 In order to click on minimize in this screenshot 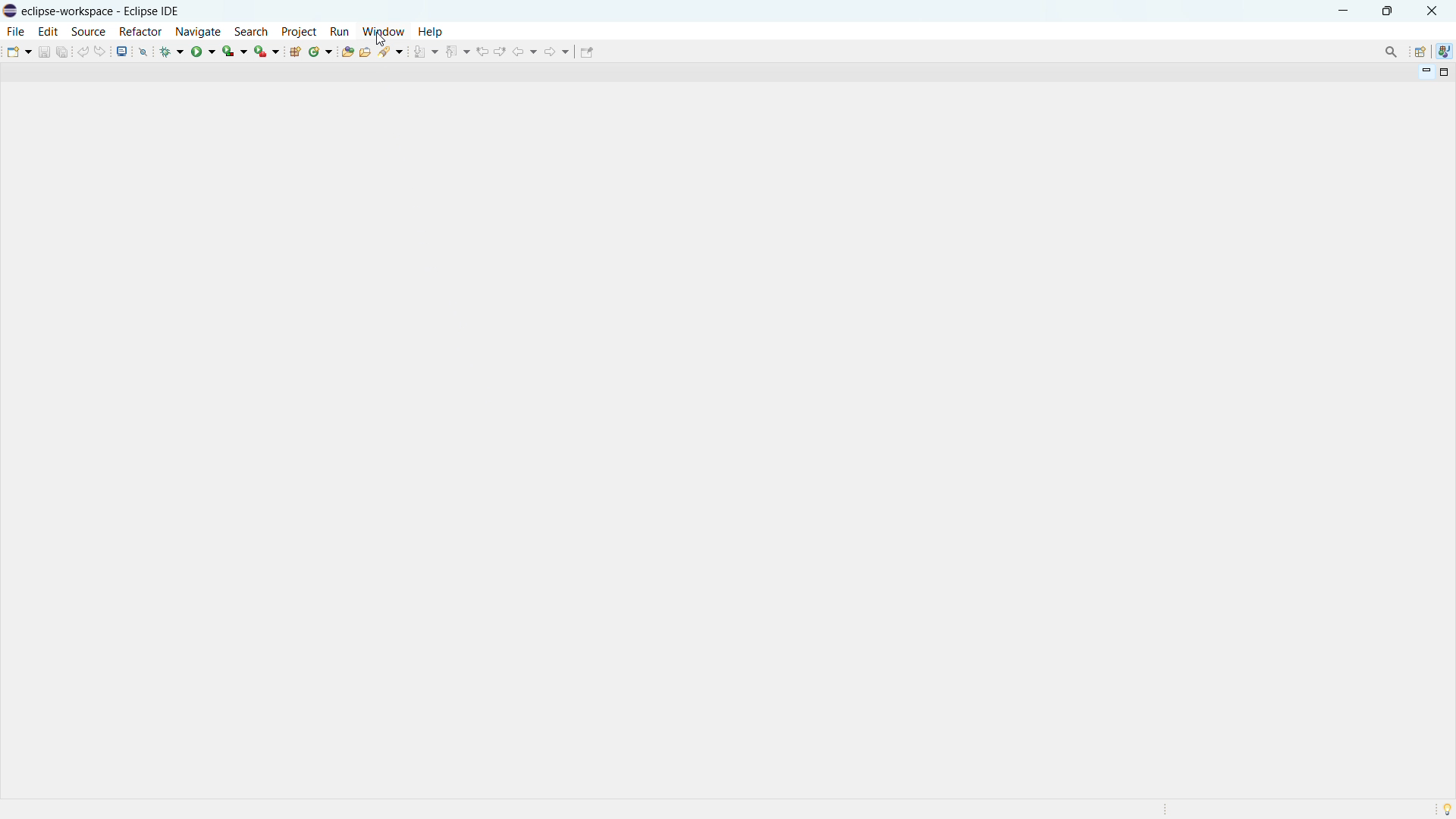, I will do `click(1344, 10)`.